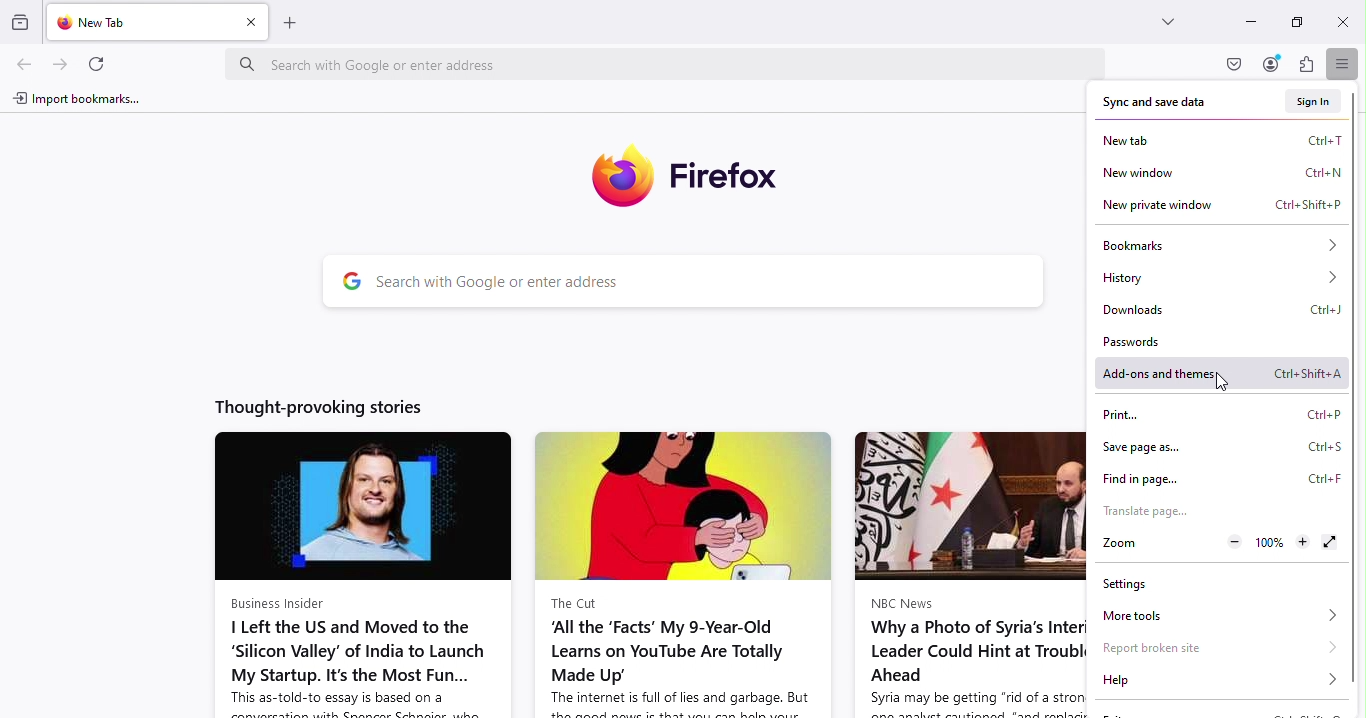 The width and height of the screenshot is (1366, 718). Describe the element at coordinates (1121, 544) in the screenshot. I see `Zoom` at that location.